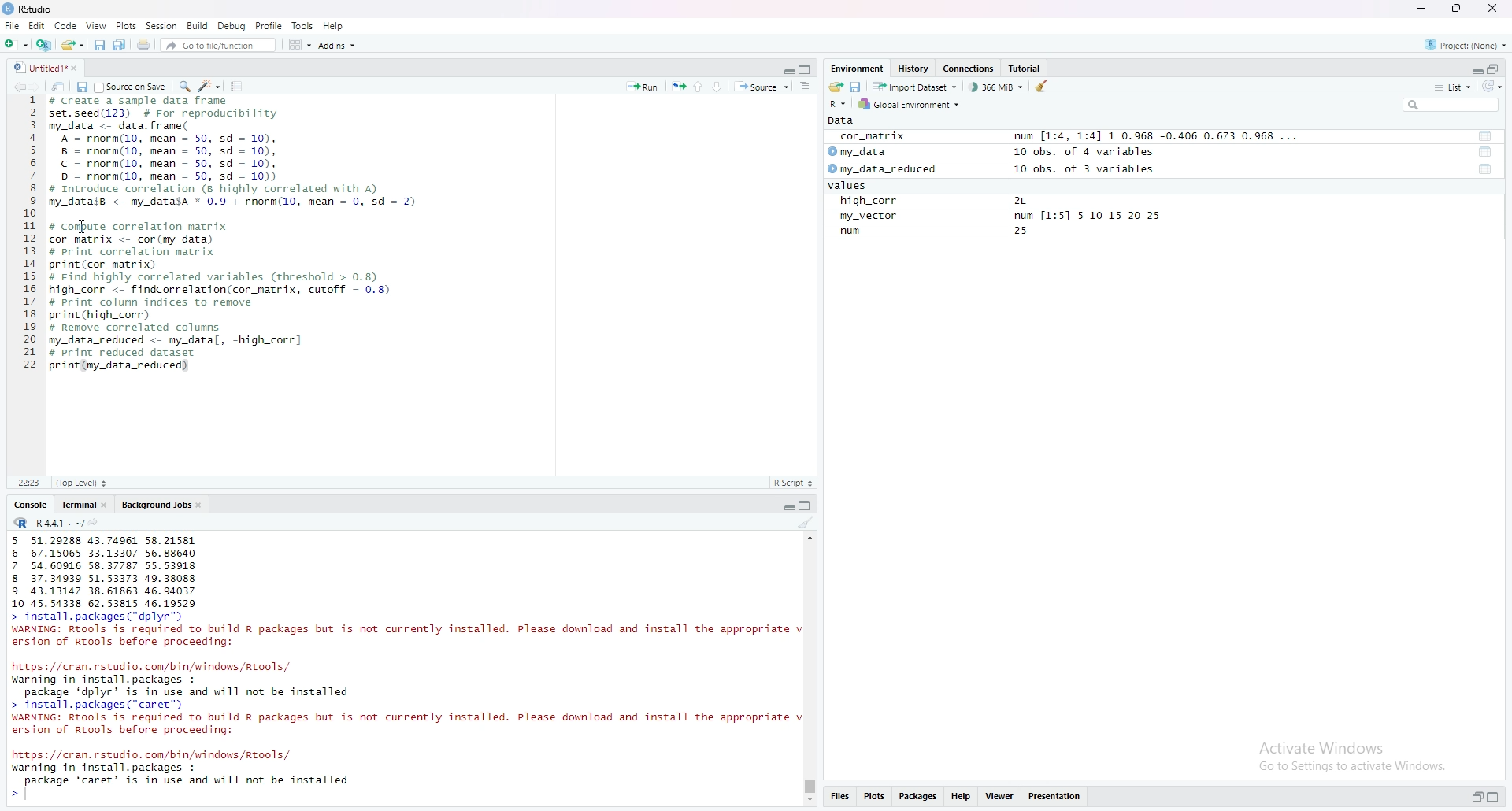 The width and height of the screenshot is (1512, 811). Describe the element at coordinates (1486, 152) in the screenshot. I see `tool` at that location.